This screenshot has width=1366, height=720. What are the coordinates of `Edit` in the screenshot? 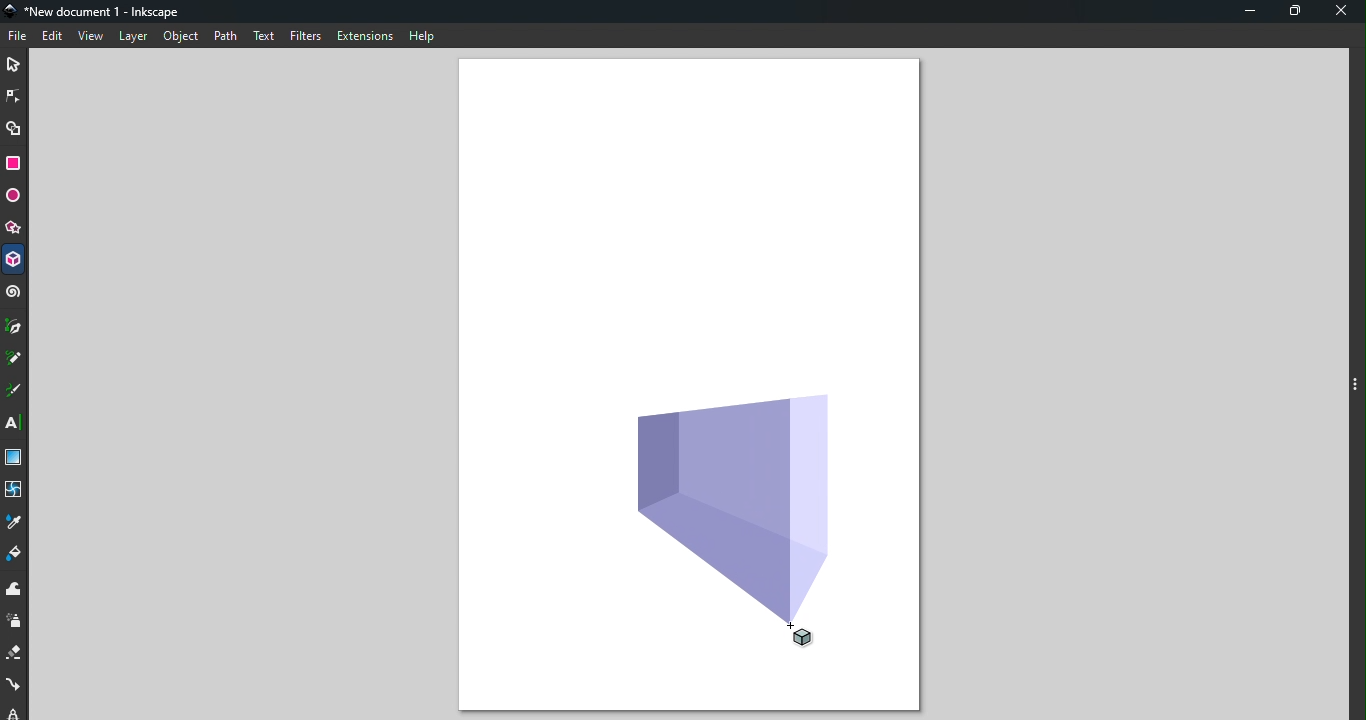 It's located at (51, 37).